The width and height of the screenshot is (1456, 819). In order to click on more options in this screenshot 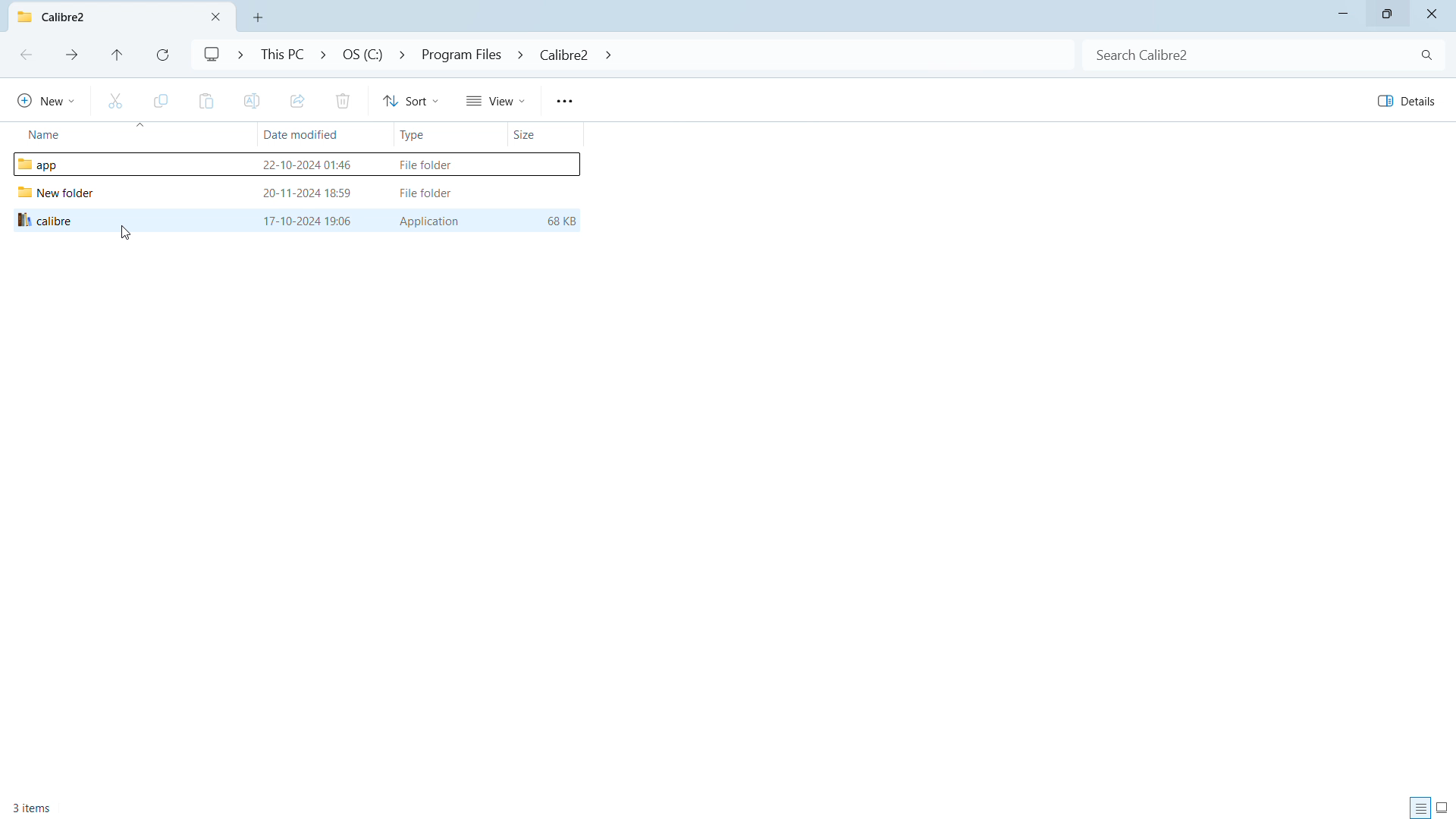, I will do `click(563, 100)`.